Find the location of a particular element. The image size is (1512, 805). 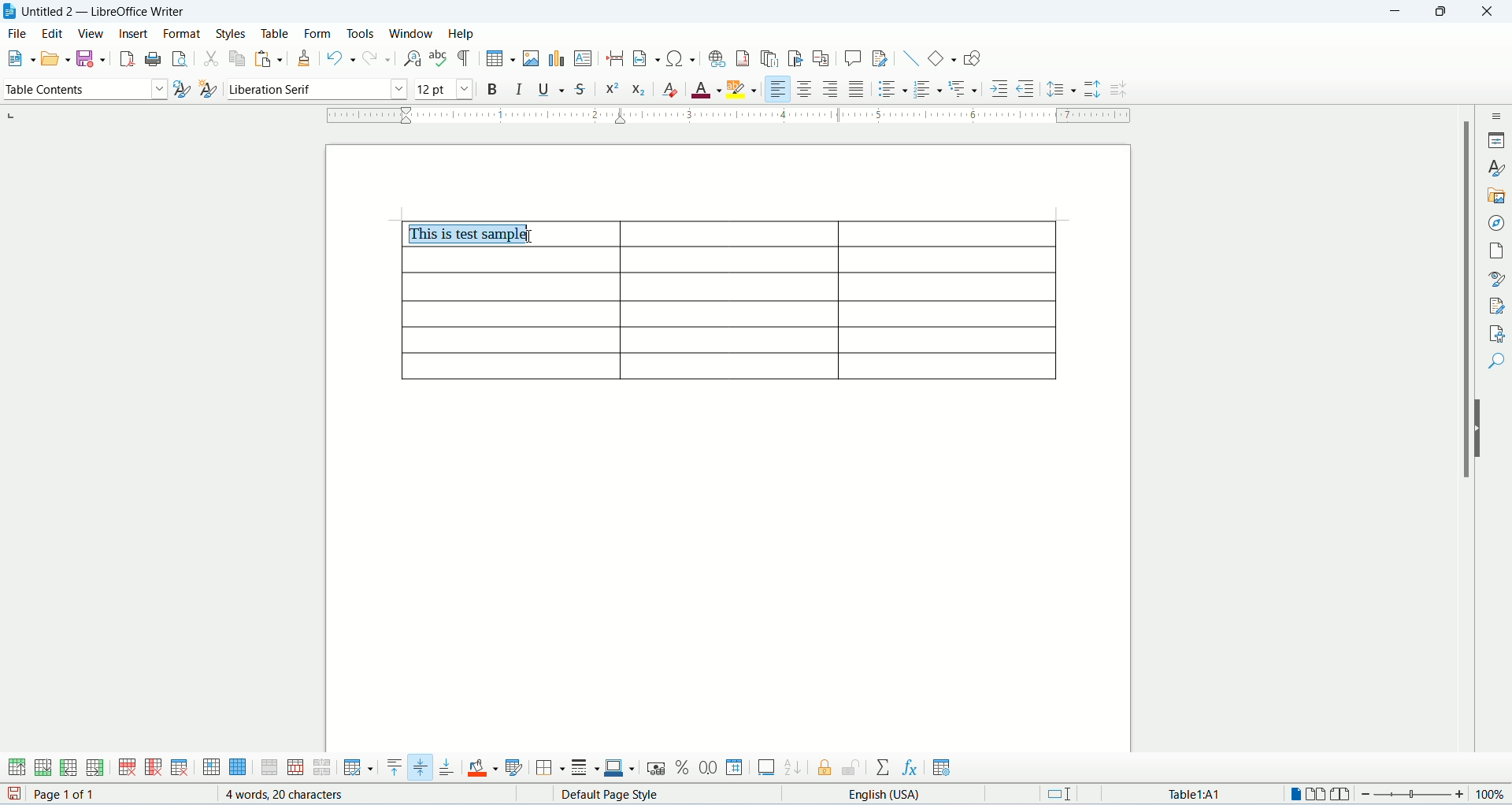

save is located at coordinates (11, 795).